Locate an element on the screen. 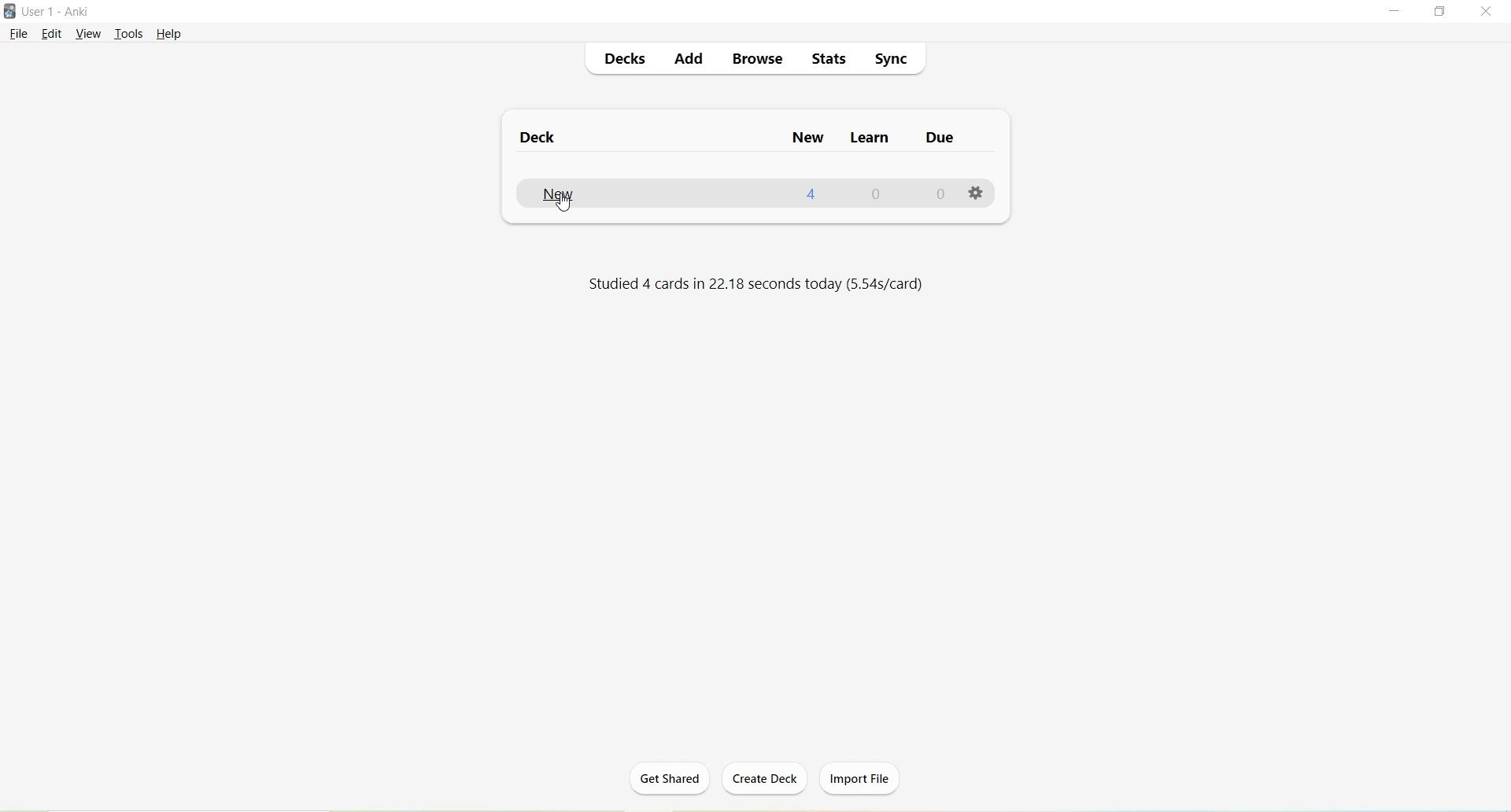 The height and width of the screenshot is (812, 1511). Browse is located at coordinates (759, 60).